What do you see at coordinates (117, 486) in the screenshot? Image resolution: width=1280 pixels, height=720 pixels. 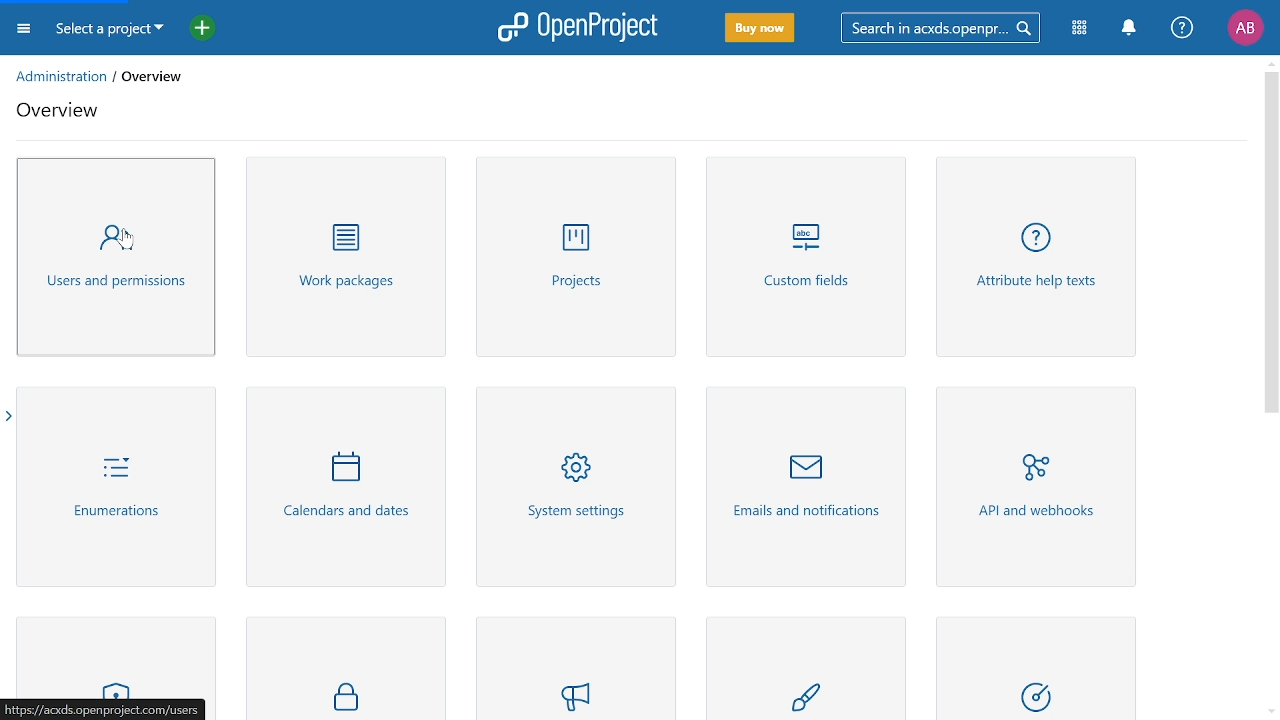 I see `Enumerations` at bounding box center [117, 486].